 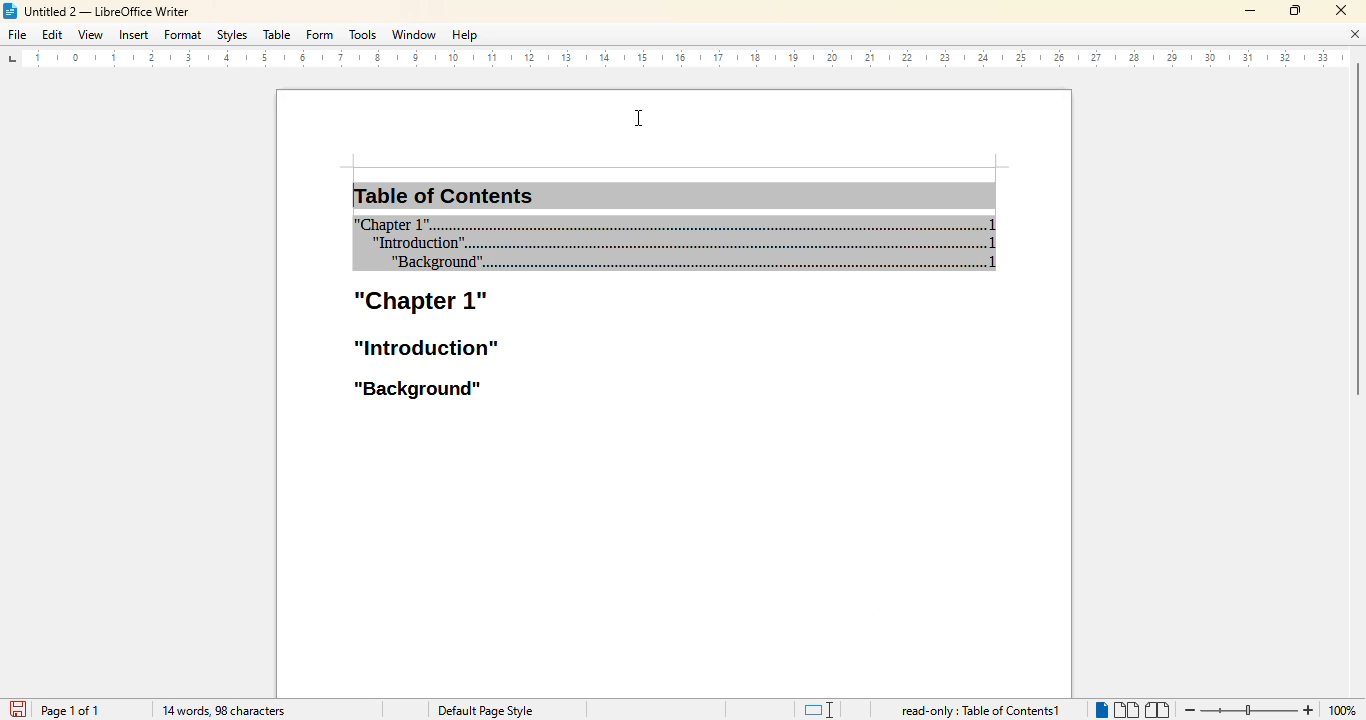 I want to click on 14 words, 98 characters, so click(x=224, y=710).